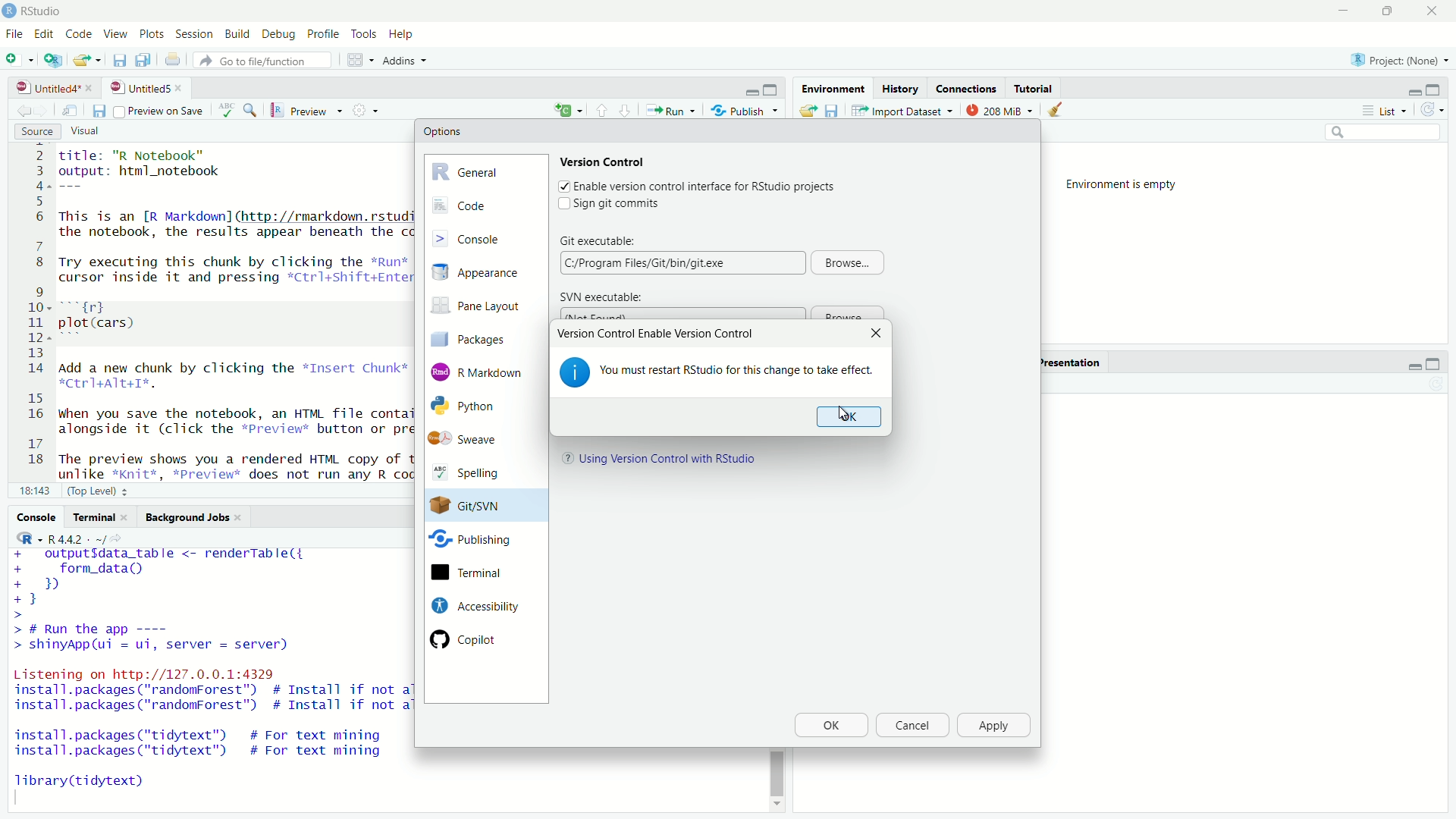  I want to click on Go to file/function, so click(266, 61).